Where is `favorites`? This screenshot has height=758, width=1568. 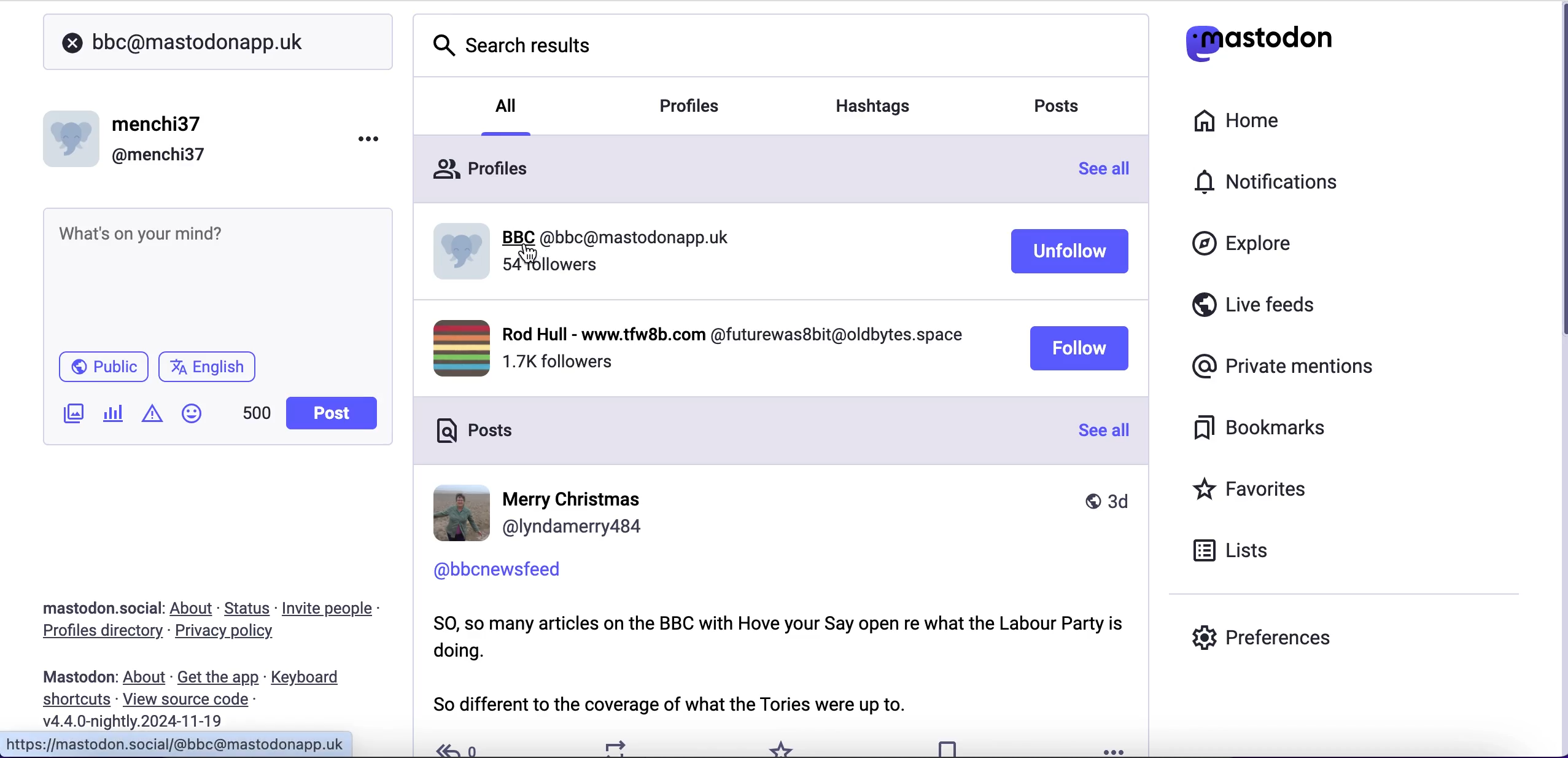
favorites is located at coordinates (1254, 491).